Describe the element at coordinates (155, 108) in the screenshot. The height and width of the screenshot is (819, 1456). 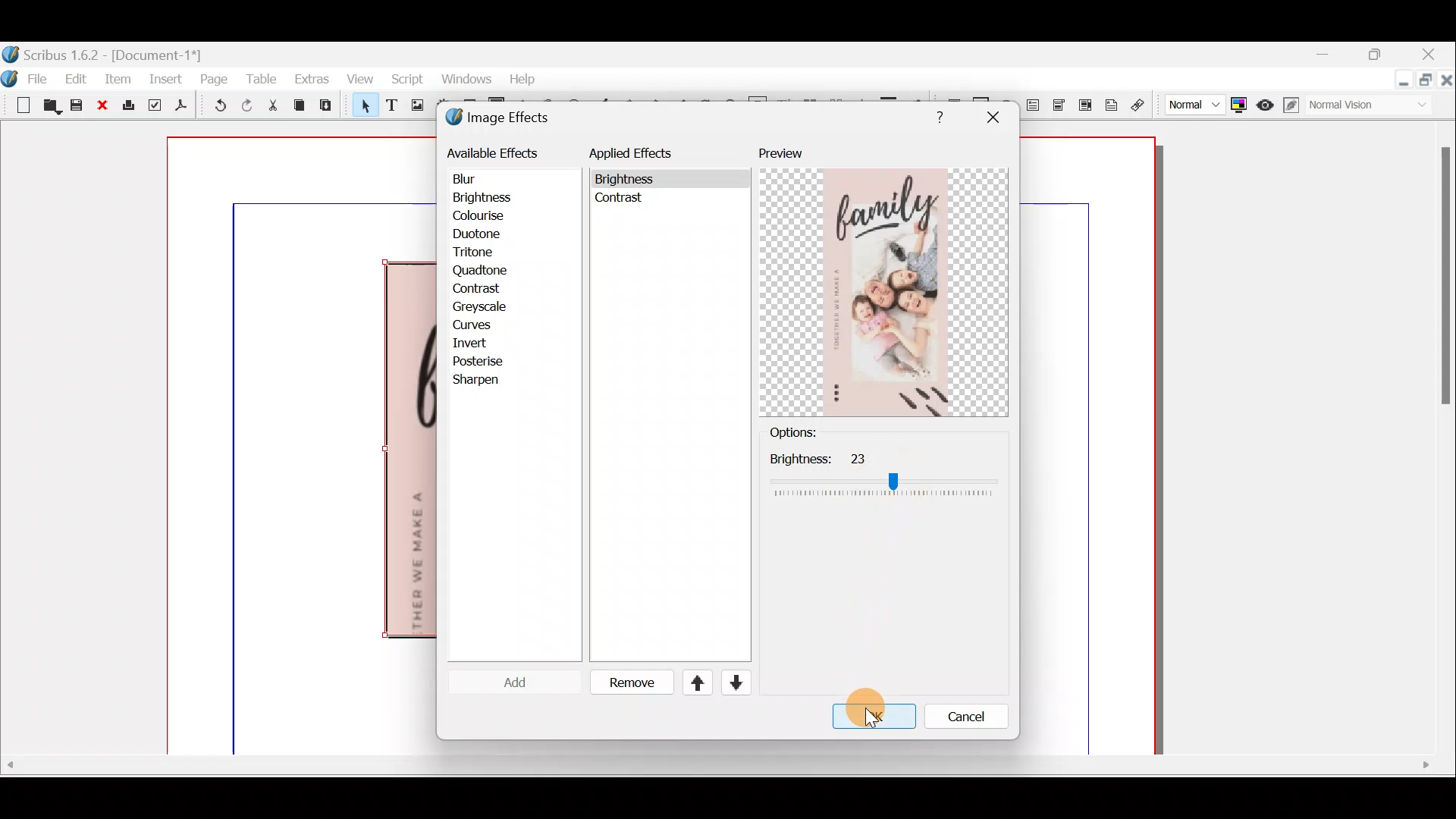
I see `Preflight verifier` at that location.